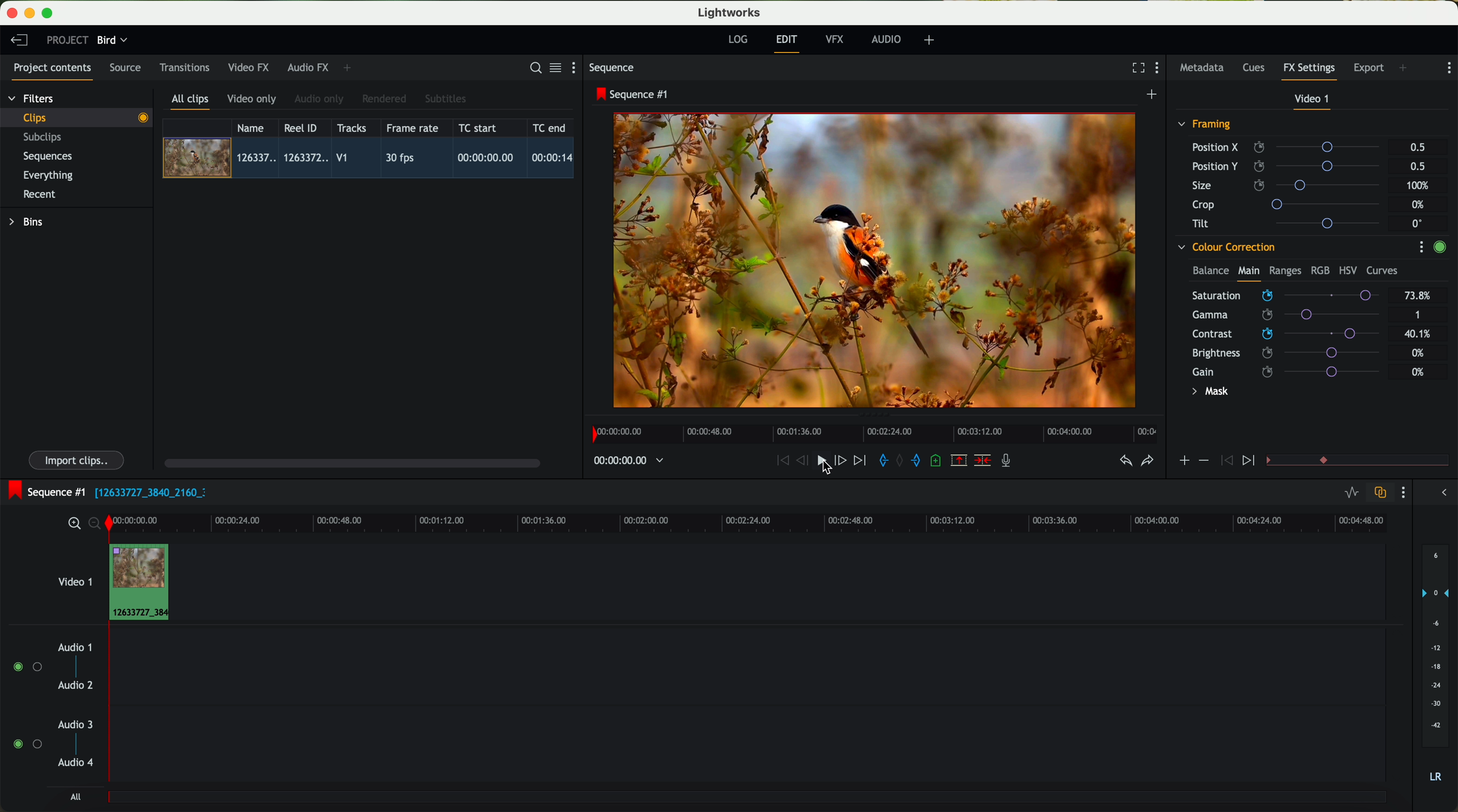 This screenshot has width=1458, height=812. What do you see at coordinates (960, 461) in the screenshot?
I see `remove the marked section` at bounding box center [960, 461].